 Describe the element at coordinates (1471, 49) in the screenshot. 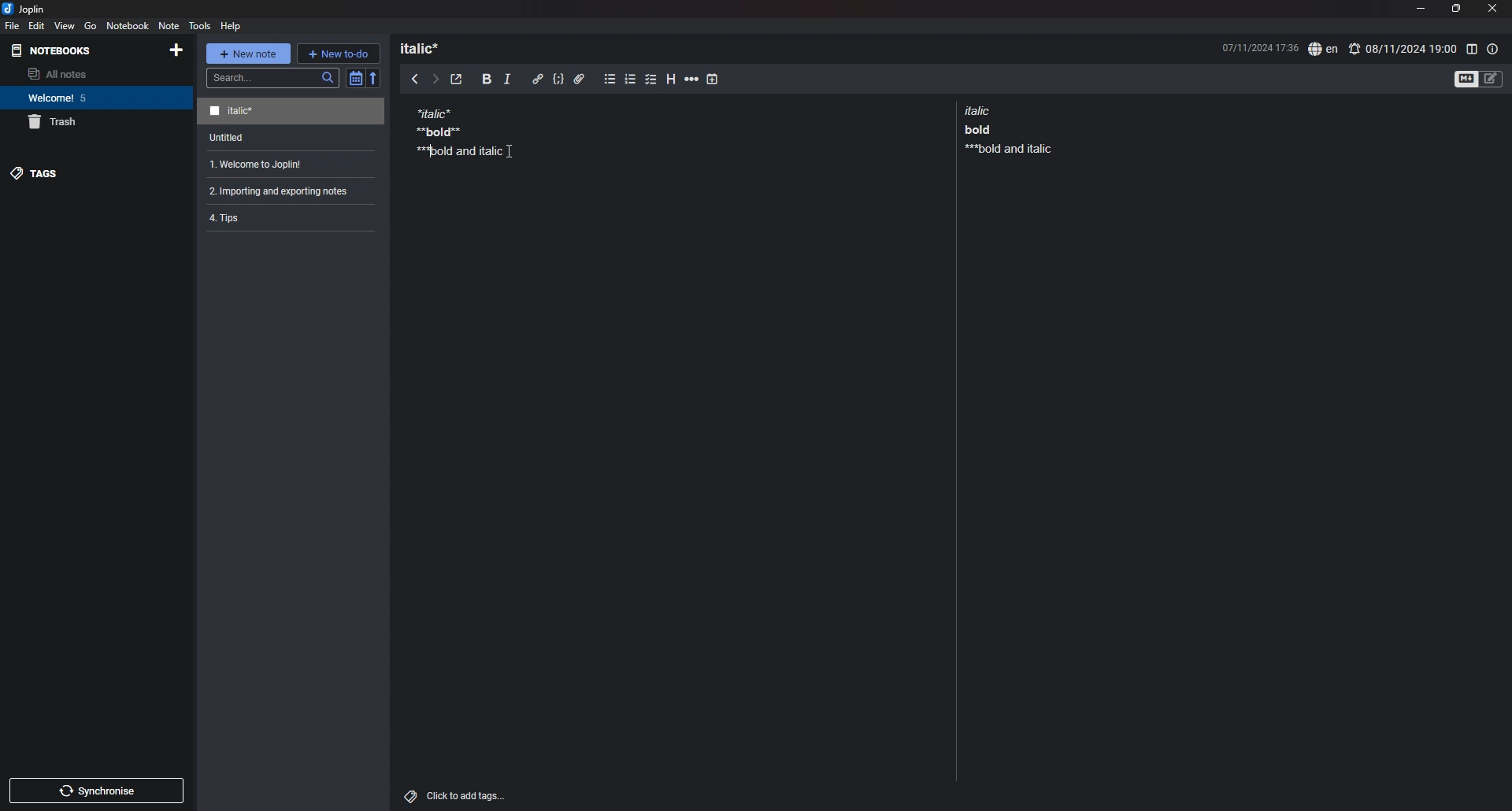

I see `toggle editor layout` at that location.